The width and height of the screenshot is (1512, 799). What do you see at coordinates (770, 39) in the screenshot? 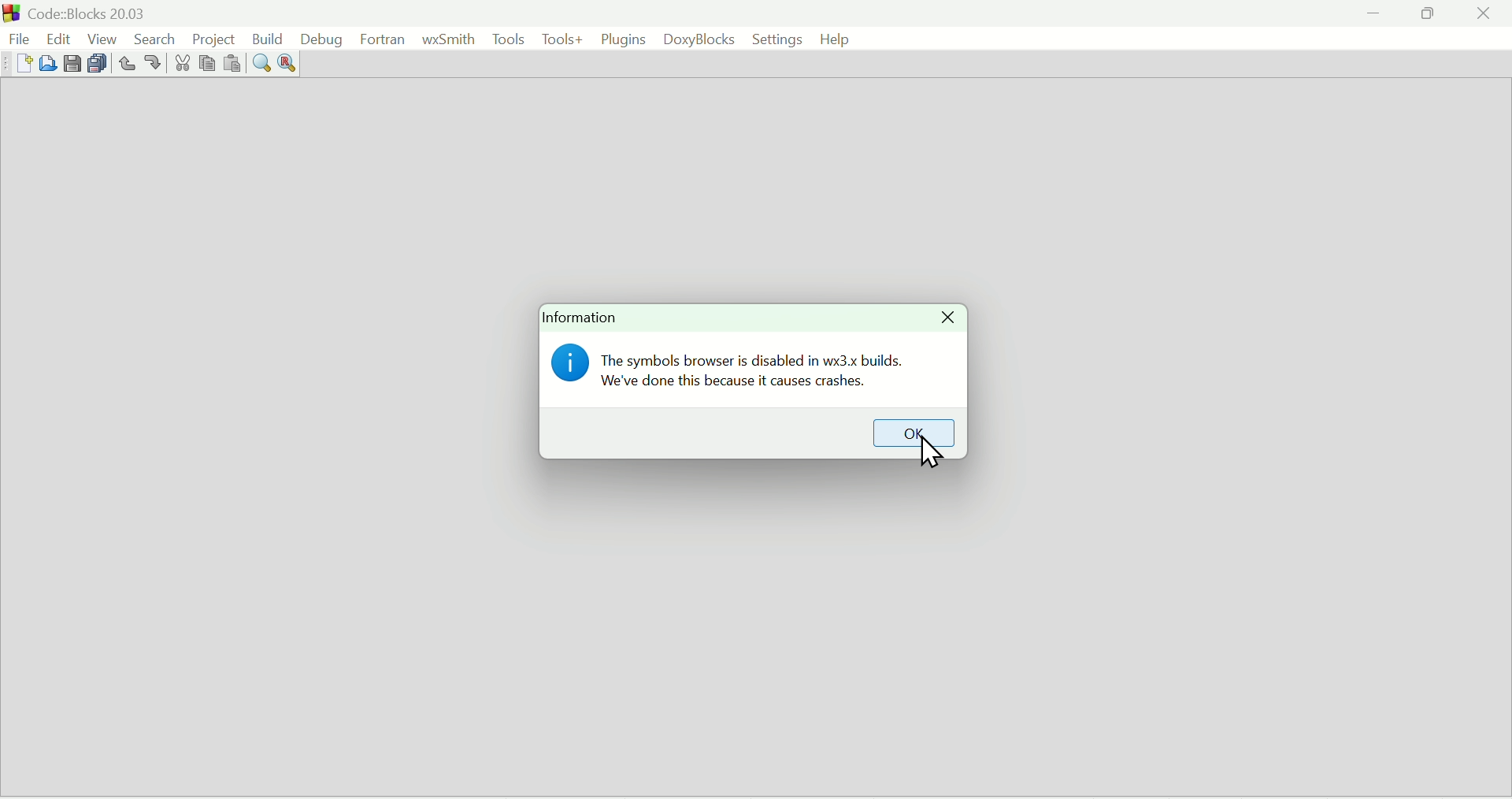
I see ` Settings` at bounding box center [770, 39].